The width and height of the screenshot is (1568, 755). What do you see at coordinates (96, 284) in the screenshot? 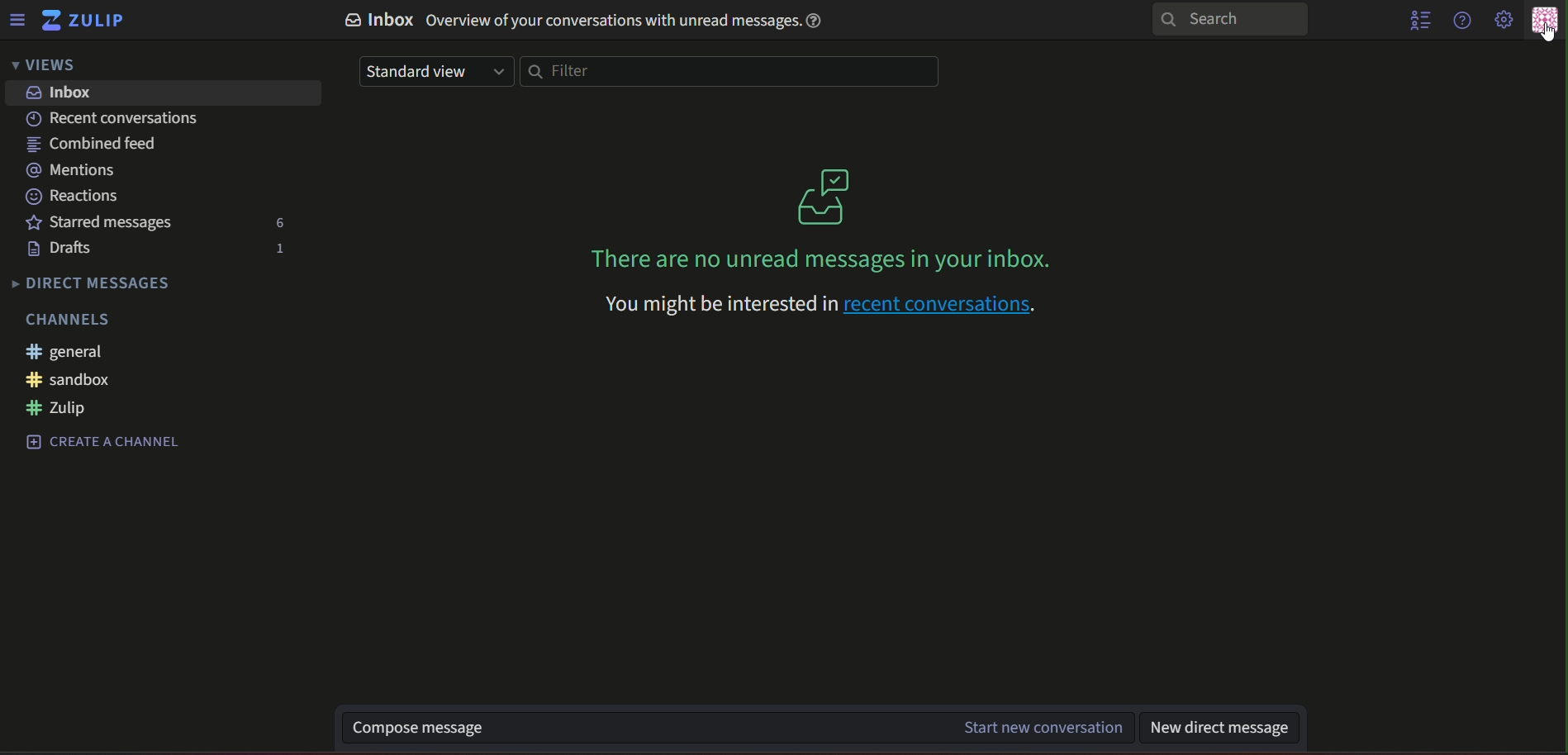
I see `DIRECT MESSAGES` at bounding box center [96, 284].